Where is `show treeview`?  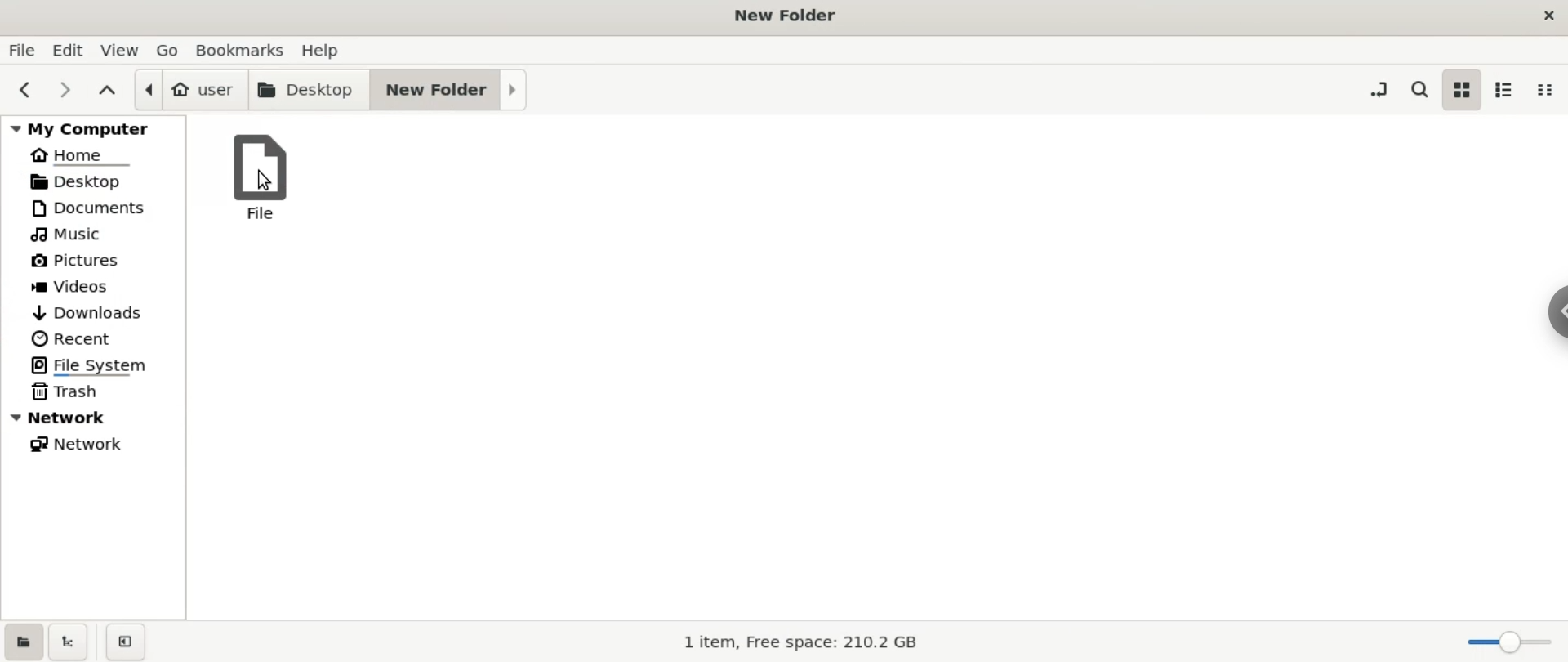
show treeview is located at coordinates (69, 638).